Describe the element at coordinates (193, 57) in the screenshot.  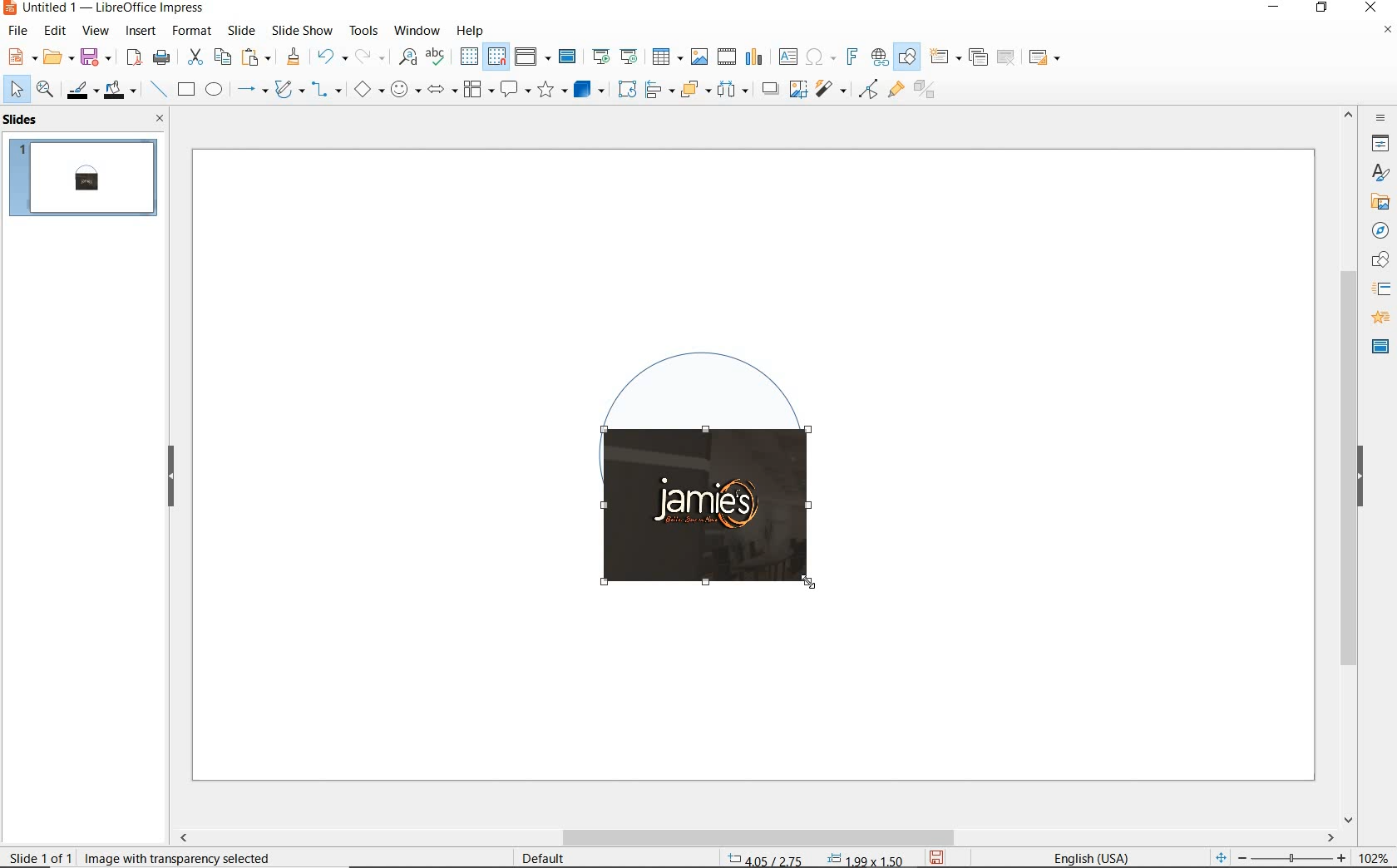
I see `cut` at that location.